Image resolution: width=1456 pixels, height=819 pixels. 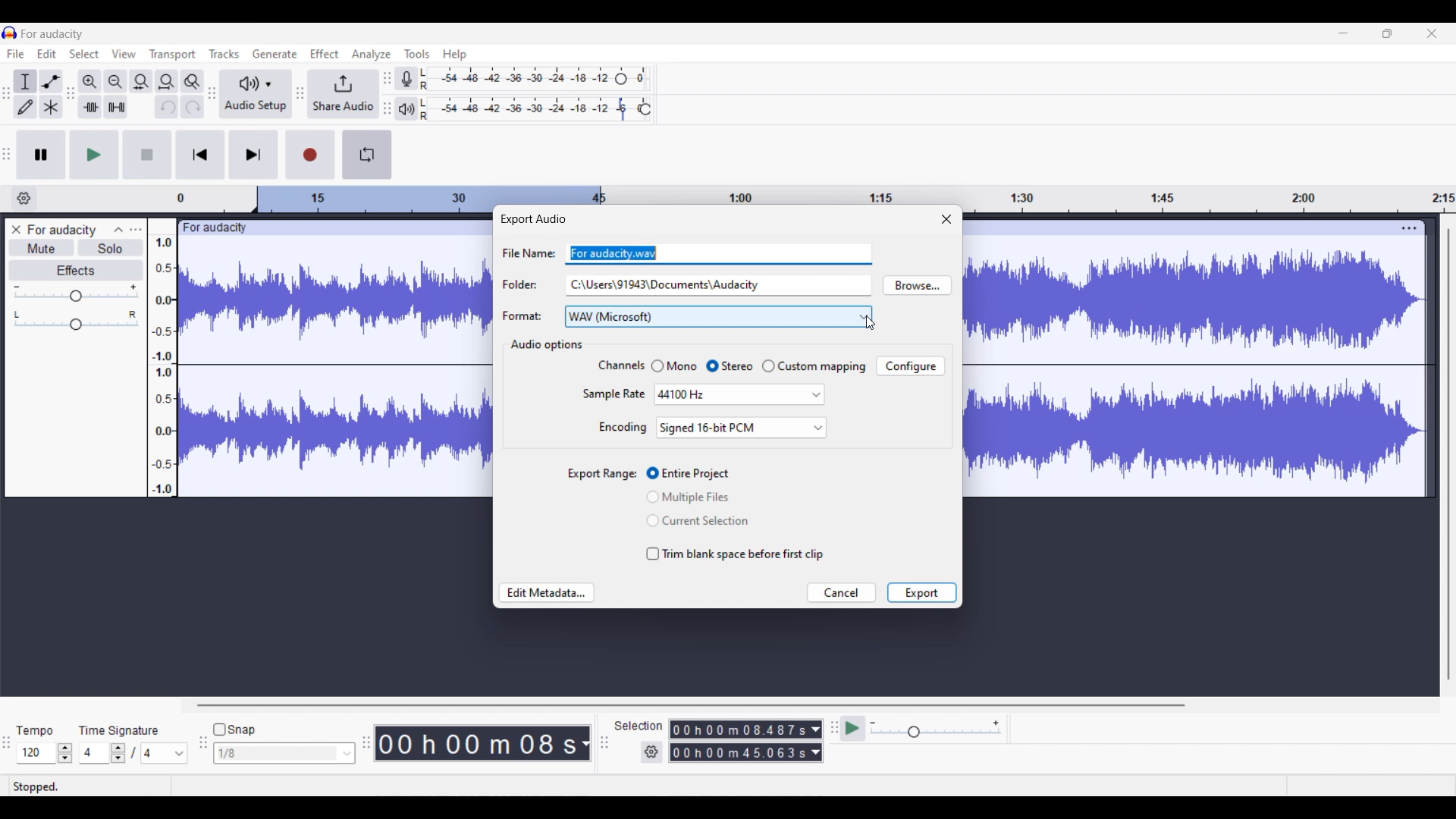 What do you see at coordinates (910, 366) in the screenshot?
I see `Configure` at bounding box center [910, 366].